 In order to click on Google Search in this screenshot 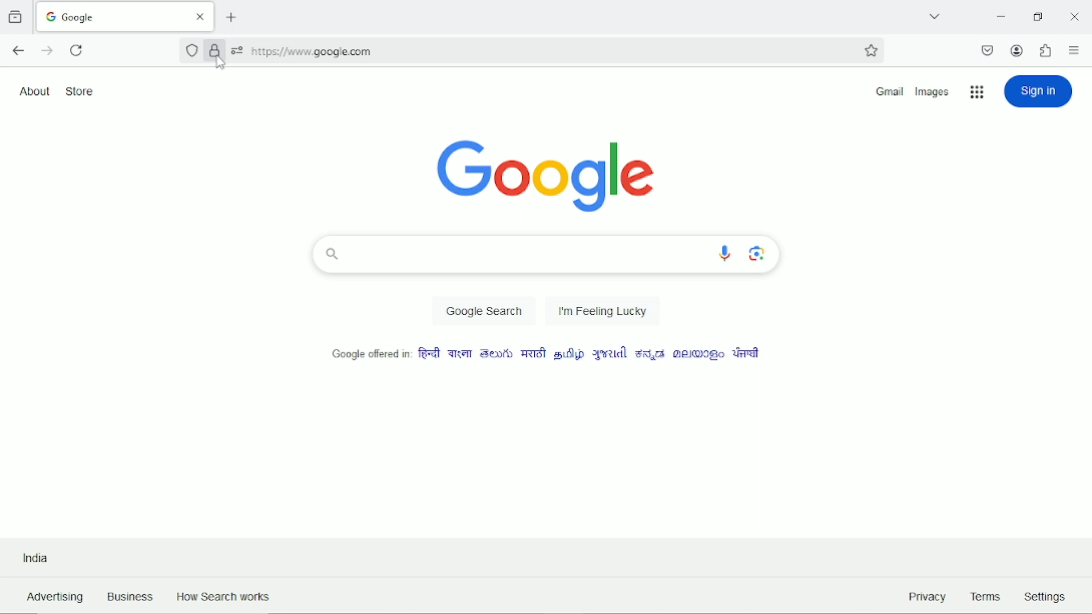, I will do `click(483, 312)`.